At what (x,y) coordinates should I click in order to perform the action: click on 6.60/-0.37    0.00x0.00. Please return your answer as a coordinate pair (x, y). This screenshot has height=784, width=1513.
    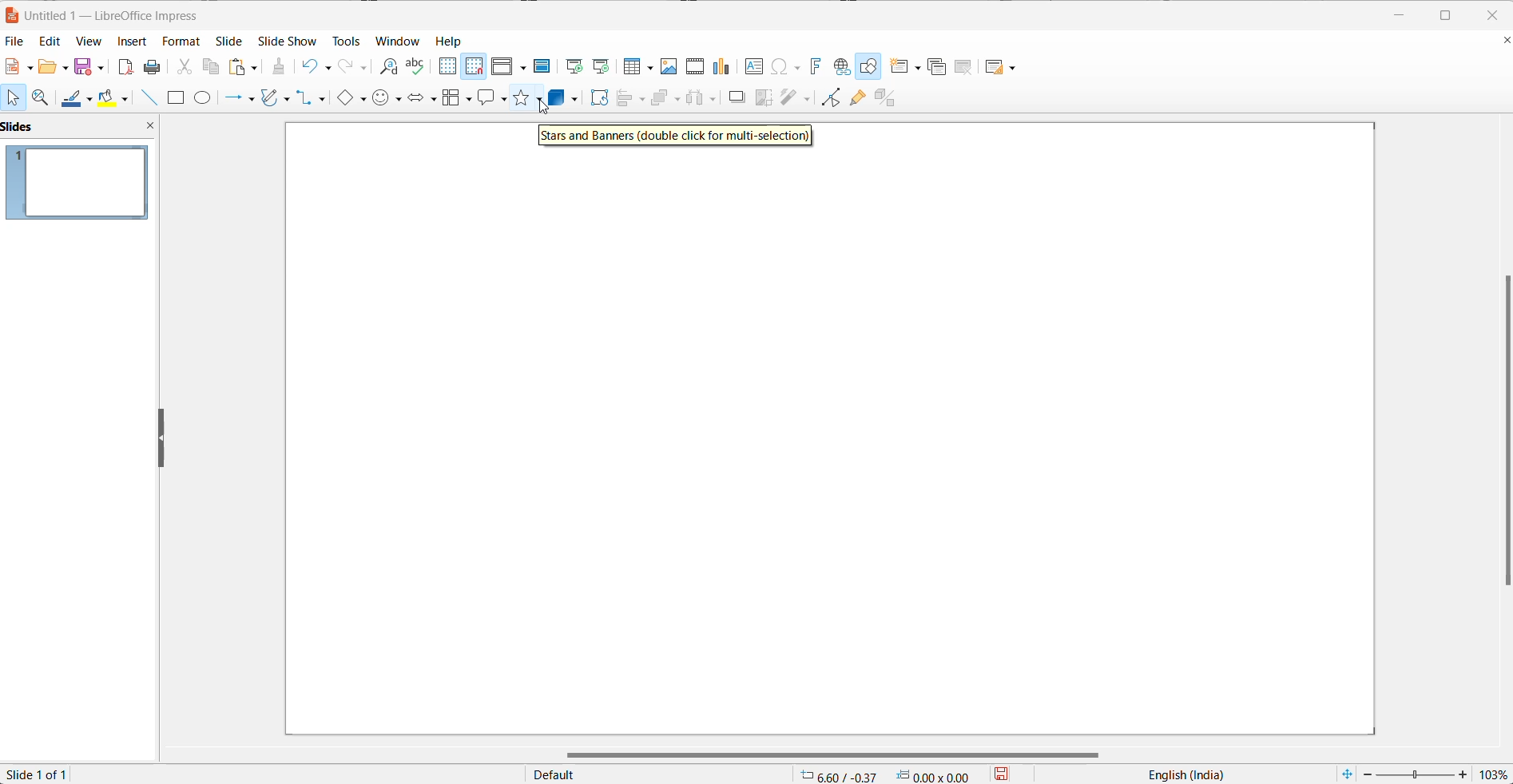
    Looking at the image, I should click on (887, 776).